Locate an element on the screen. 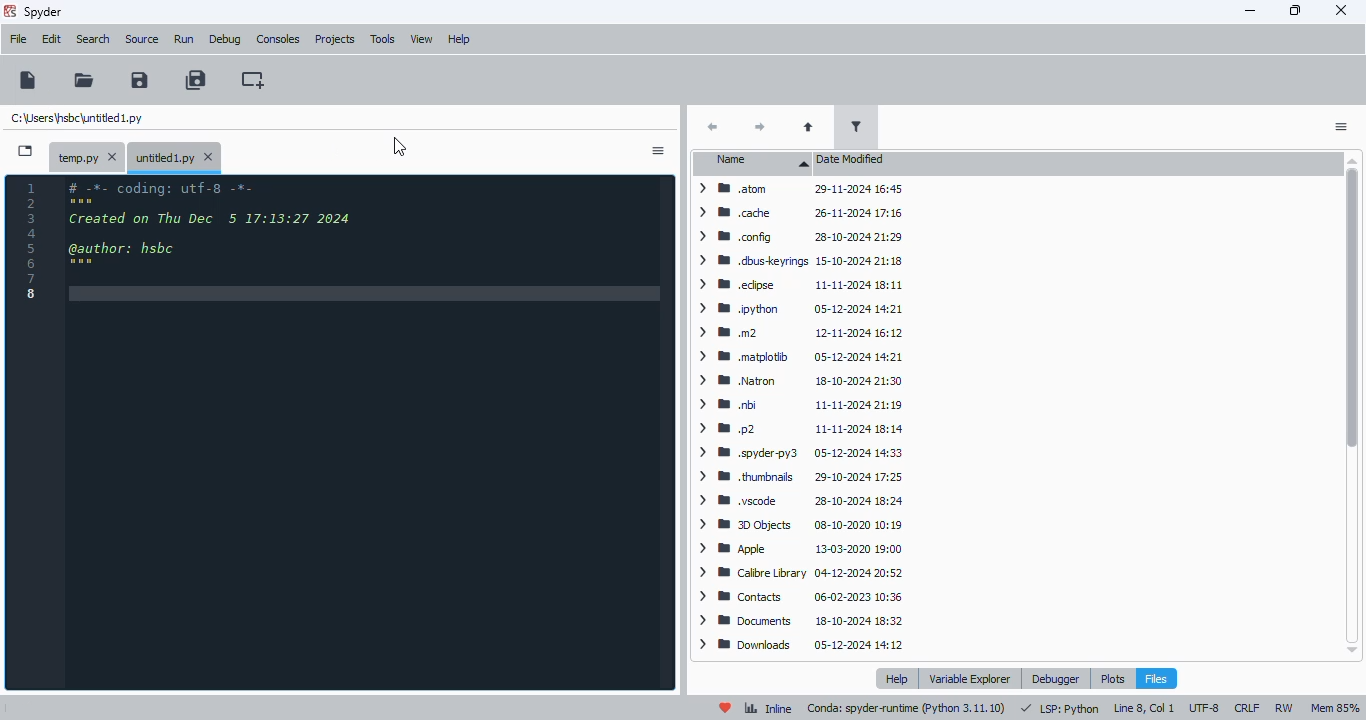  debugger is located at coordinates (1057, 678).